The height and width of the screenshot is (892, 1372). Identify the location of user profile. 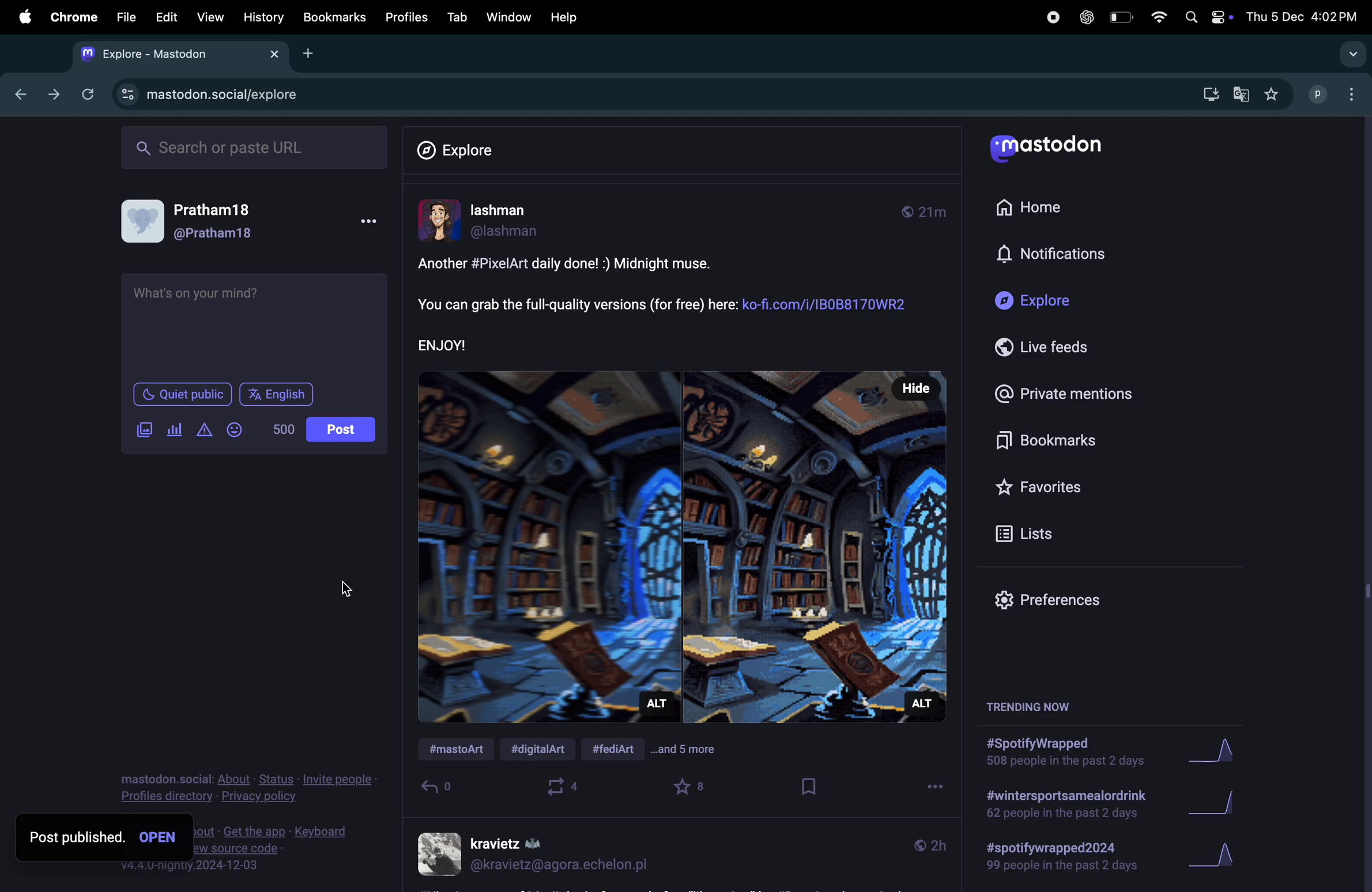
(536, 855).